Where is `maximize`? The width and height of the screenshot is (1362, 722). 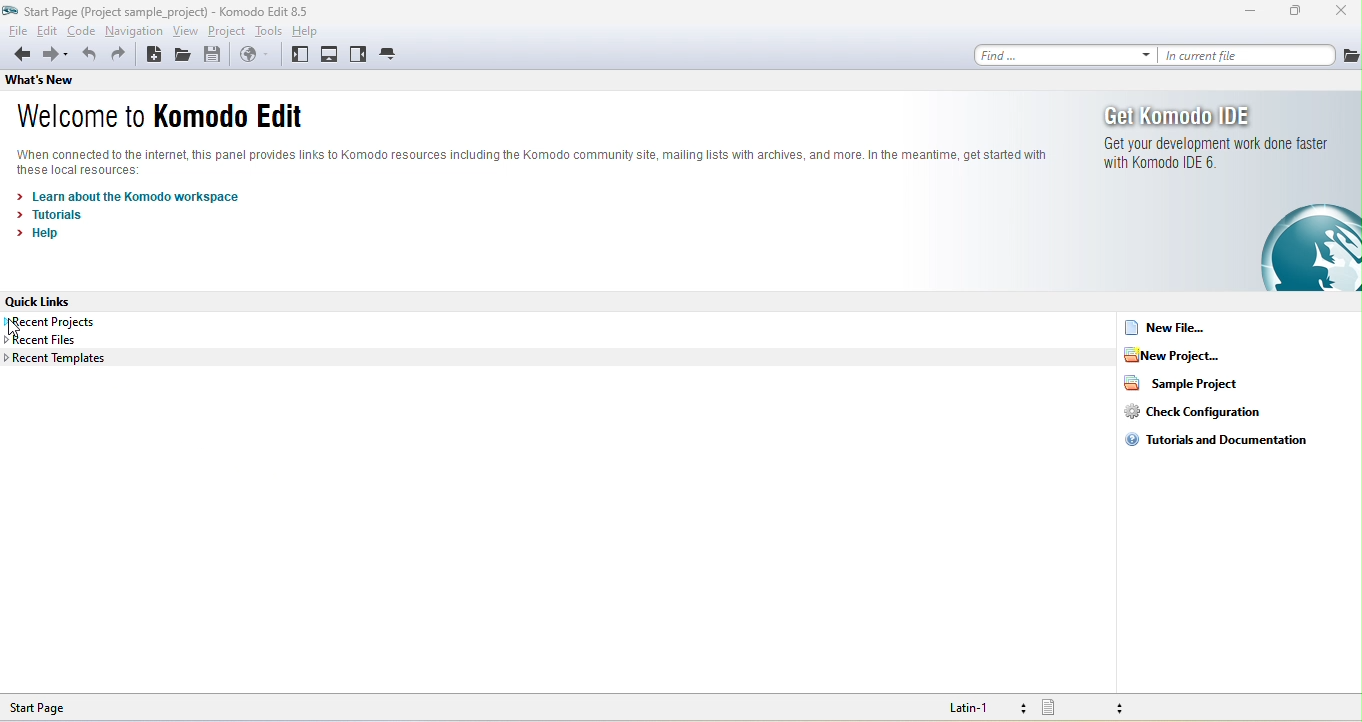 maximize is located at coordinates (1293, 13).